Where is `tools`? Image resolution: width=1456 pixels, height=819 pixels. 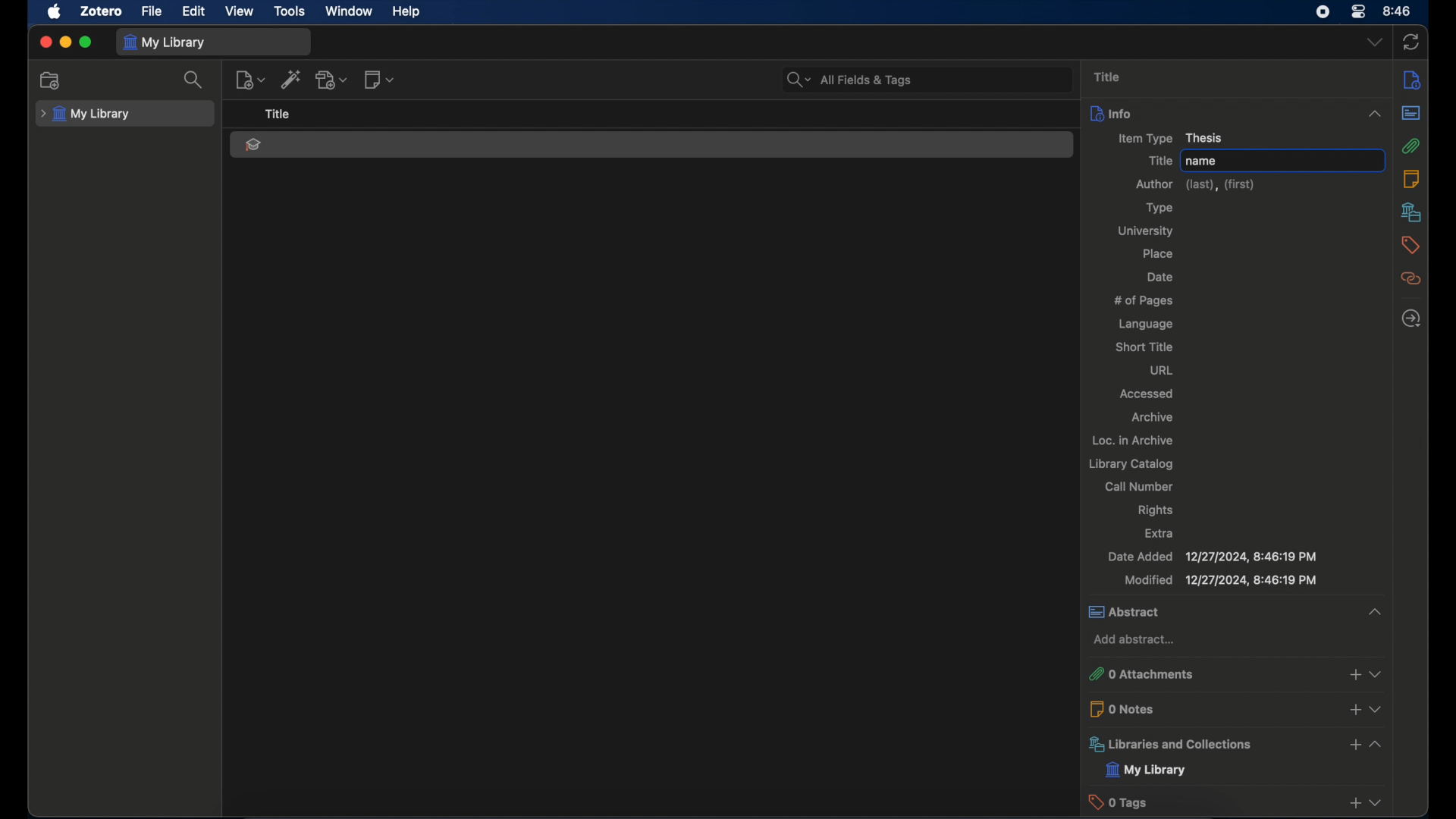 tools is located at coordinates (290, 11).